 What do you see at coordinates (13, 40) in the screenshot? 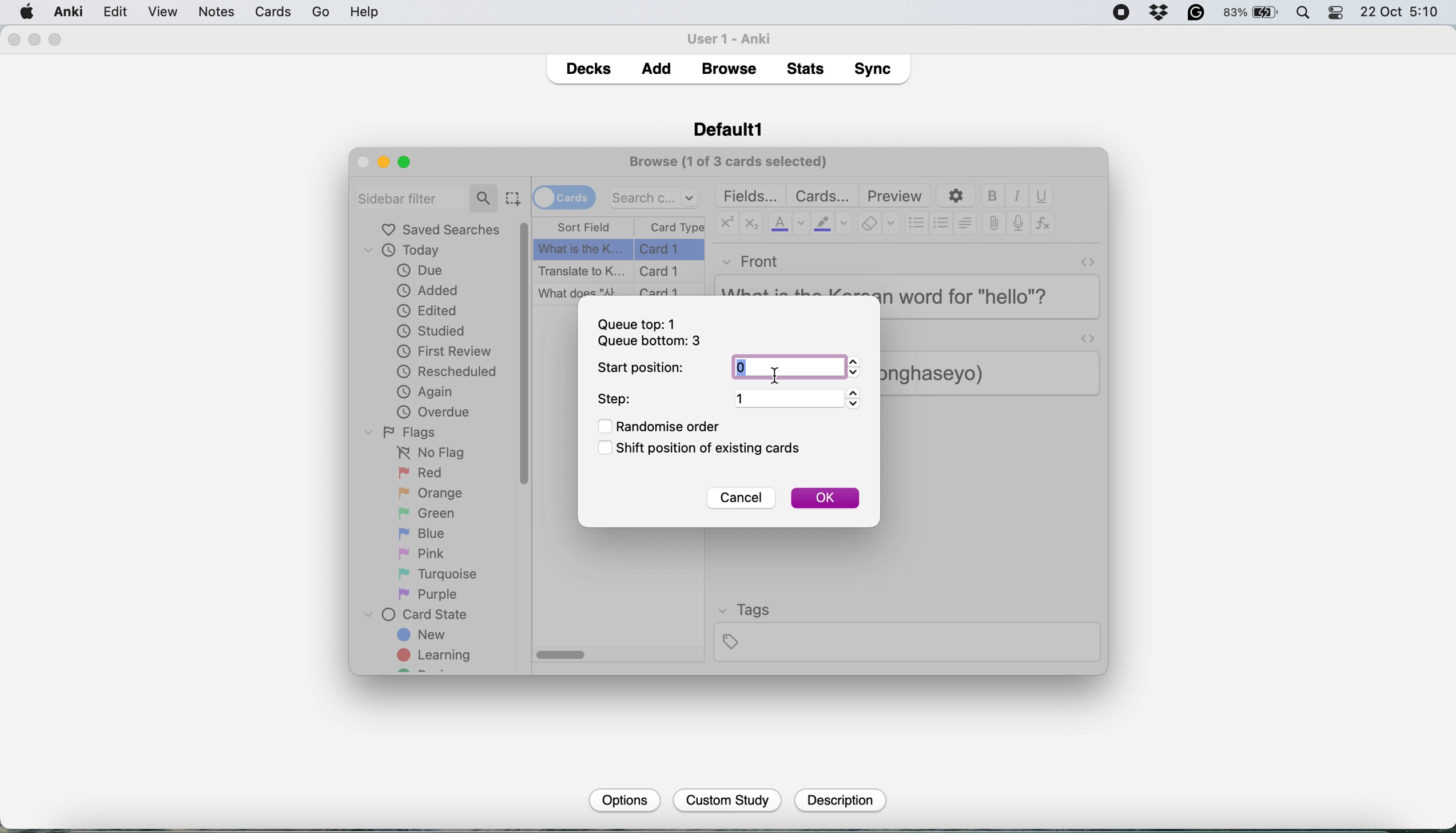
I see `close` at bounding box center [13, 40].